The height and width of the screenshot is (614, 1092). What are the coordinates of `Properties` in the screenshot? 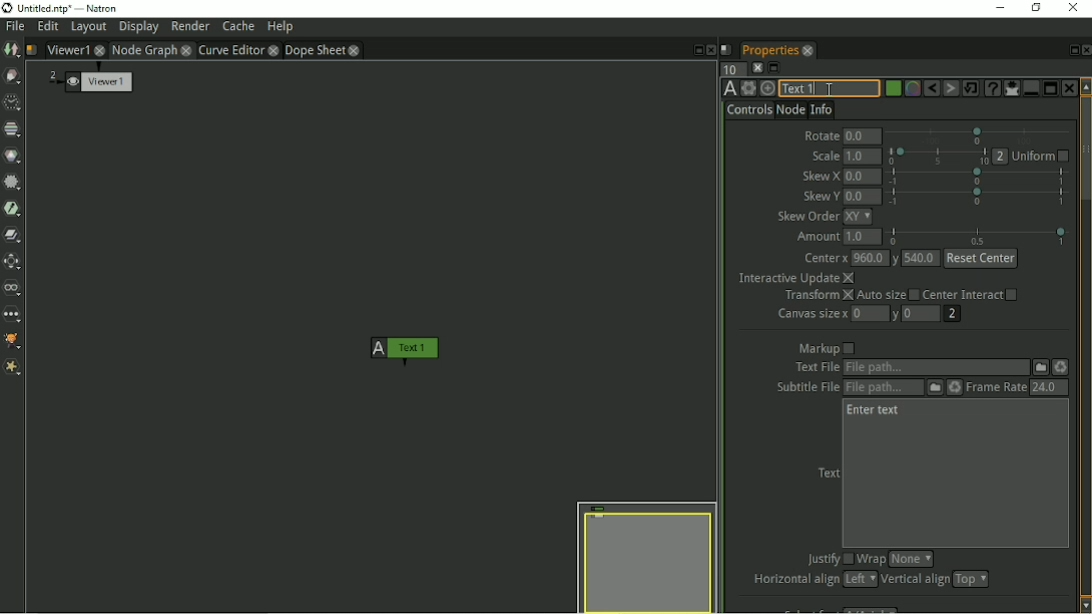 It's located at (769, 50).